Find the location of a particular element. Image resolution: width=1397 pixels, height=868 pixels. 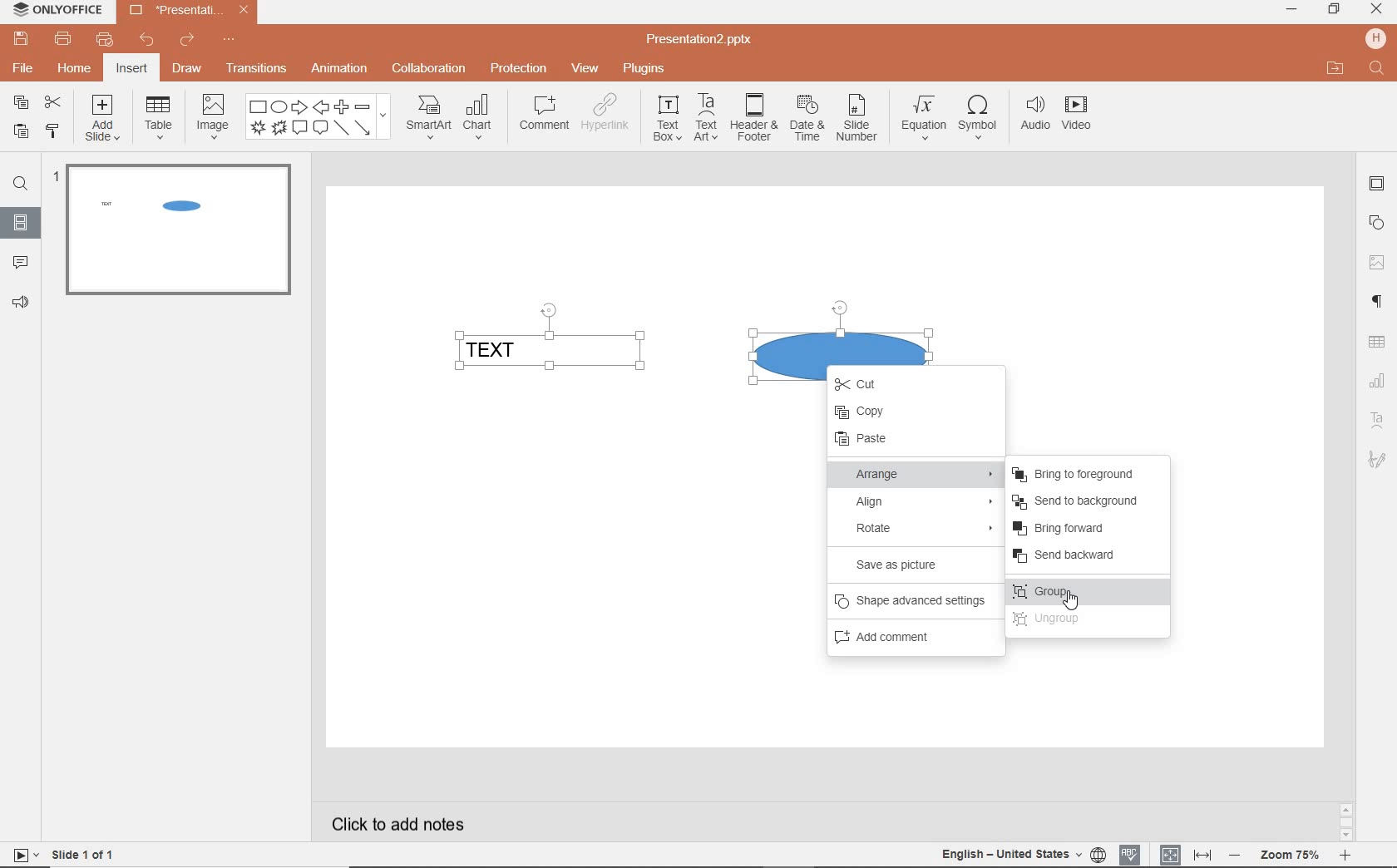

TEXT ART is located at coordinates (1375, 461).